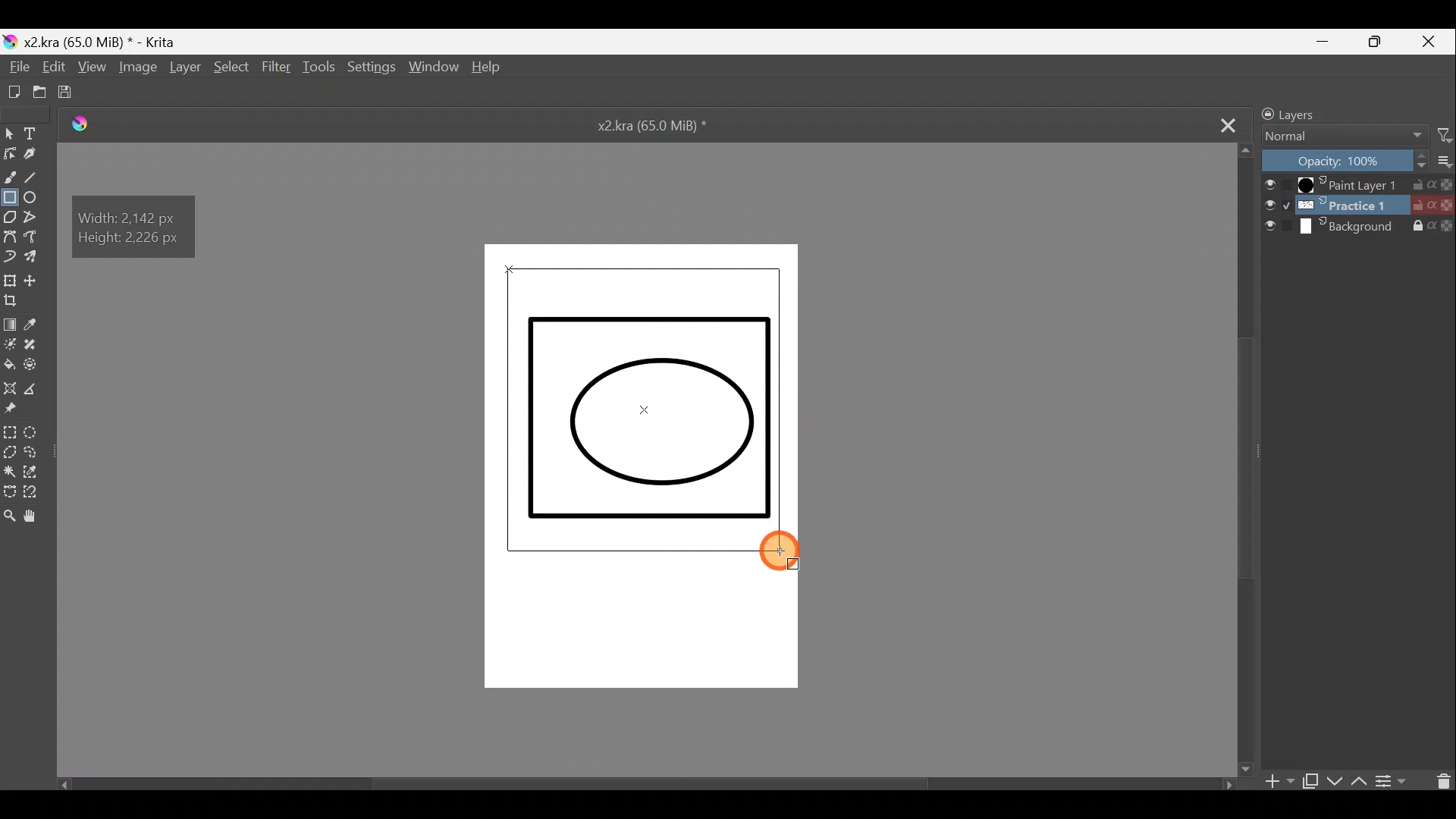  I want to click on Scroll bar, so click(654, 783).